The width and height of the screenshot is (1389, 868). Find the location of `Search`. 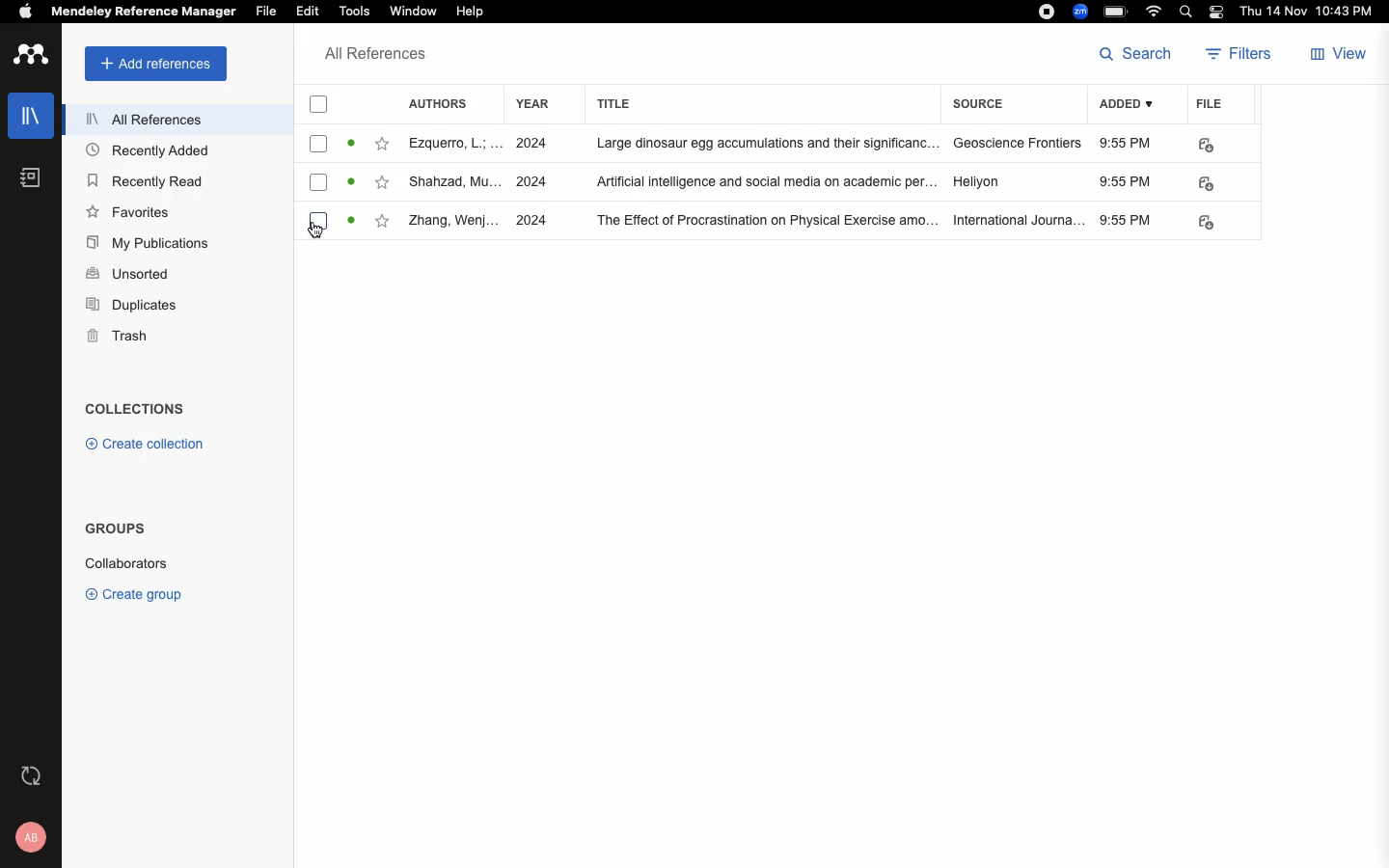

Search is located at coordinates (1188, 12).